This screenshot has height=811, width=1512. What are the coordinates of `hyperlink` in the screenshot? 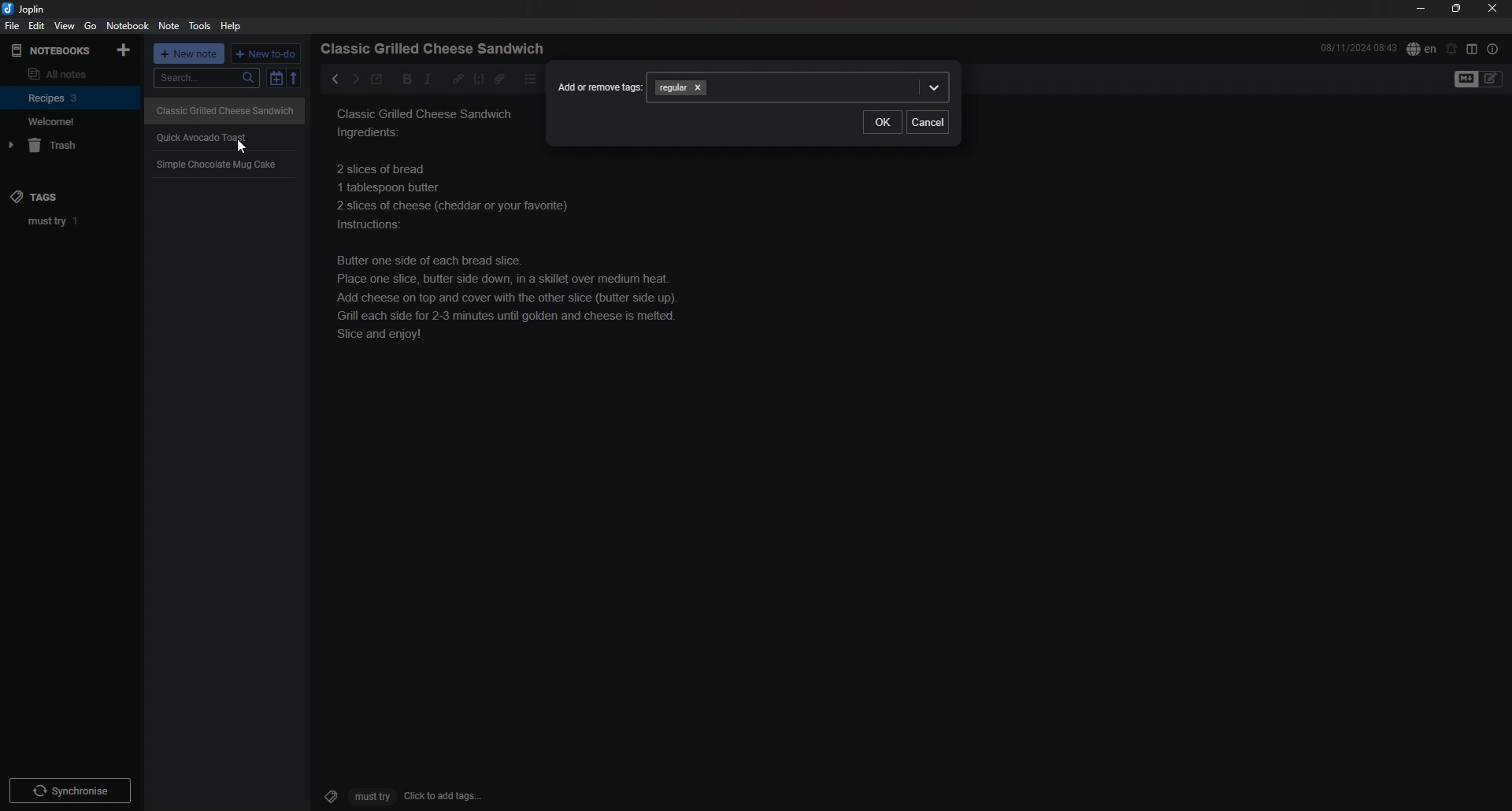 It's located at (458, 78).